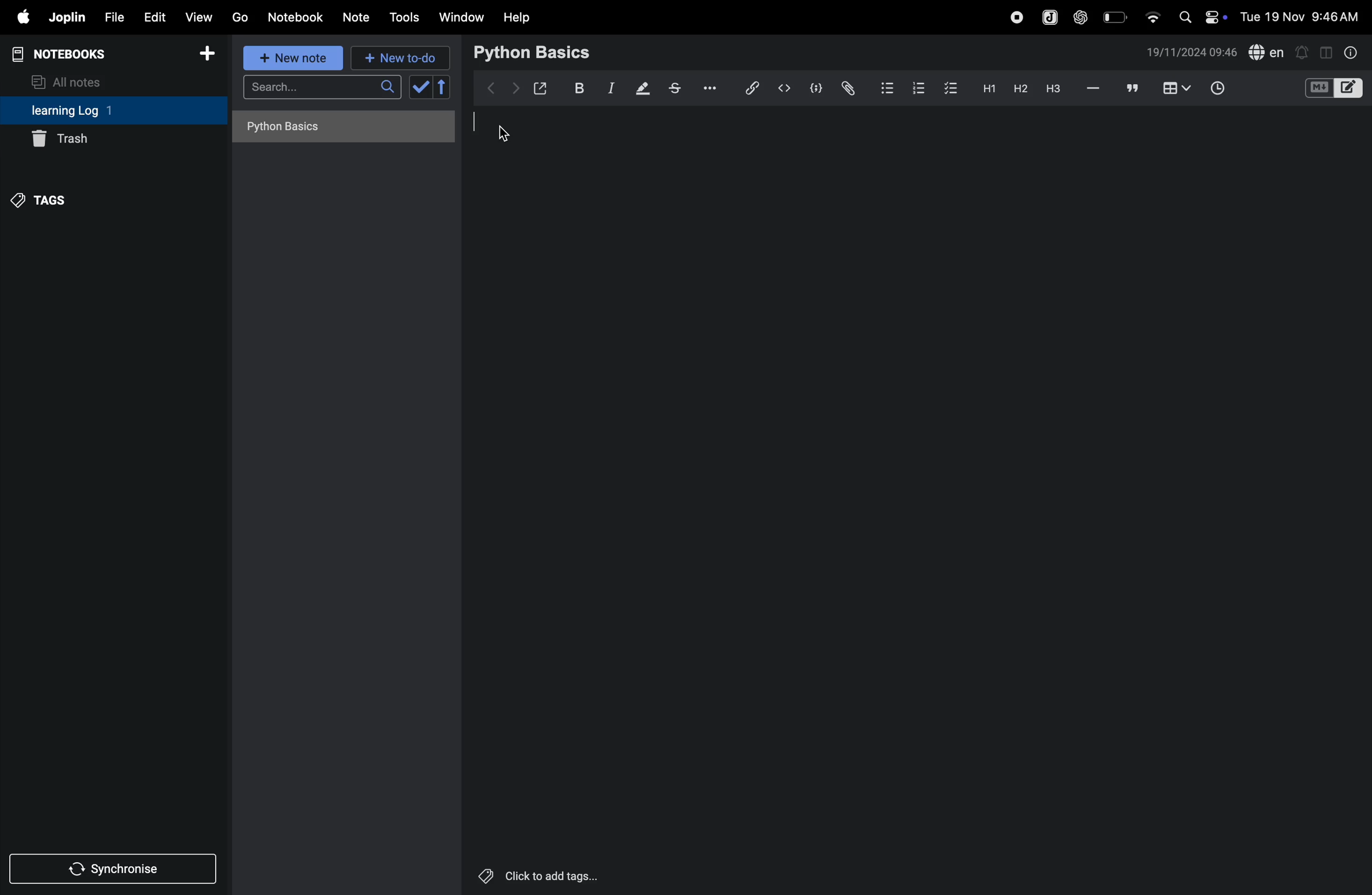 The width and height of the screenshot is (1372, 895). Describe the element at coordinates (1094, 89) in the screenshot. I see `hifen` at that location.